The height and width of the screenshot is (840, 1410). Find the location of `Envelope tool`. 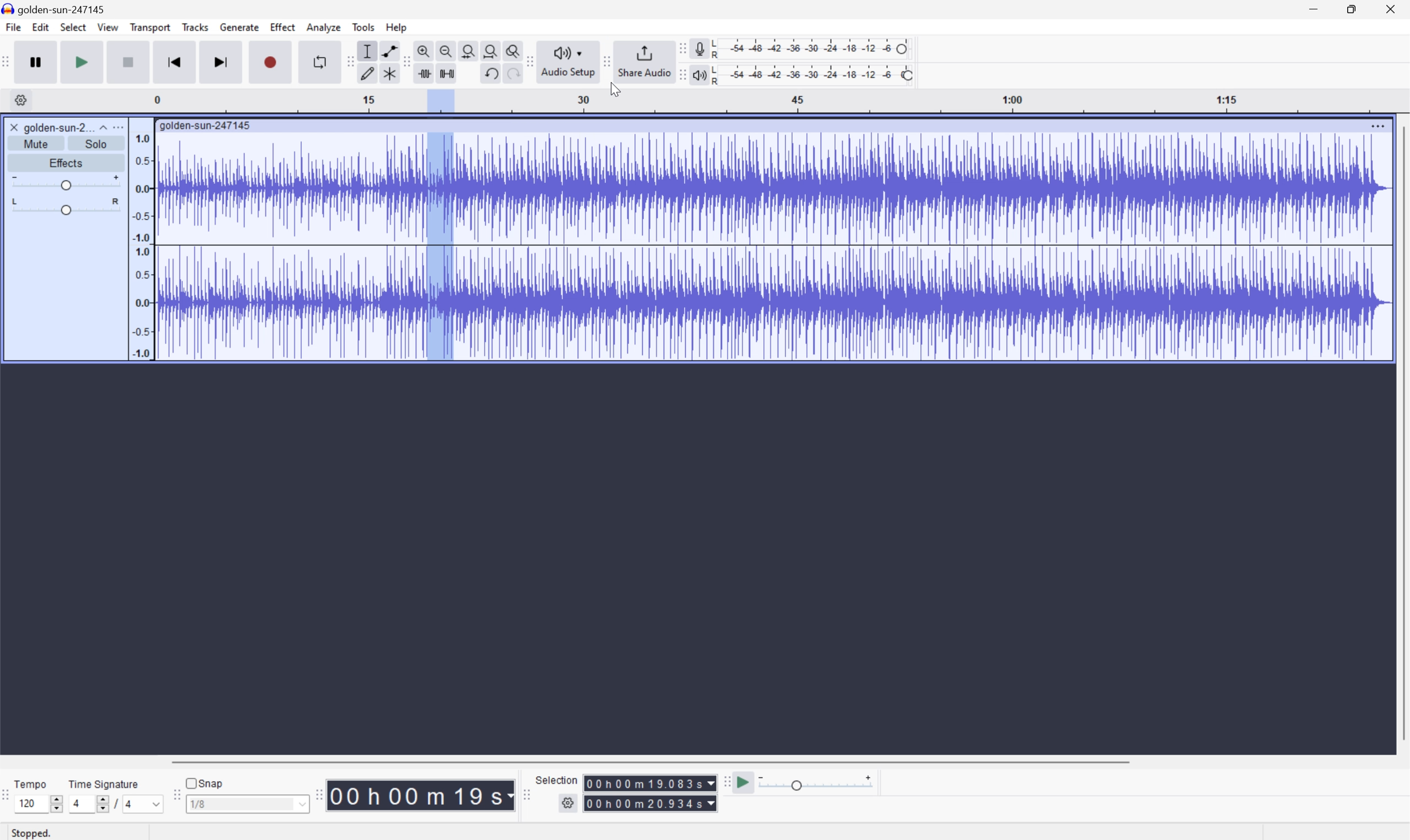

Envelope tool is located at coordinates (387, 50).